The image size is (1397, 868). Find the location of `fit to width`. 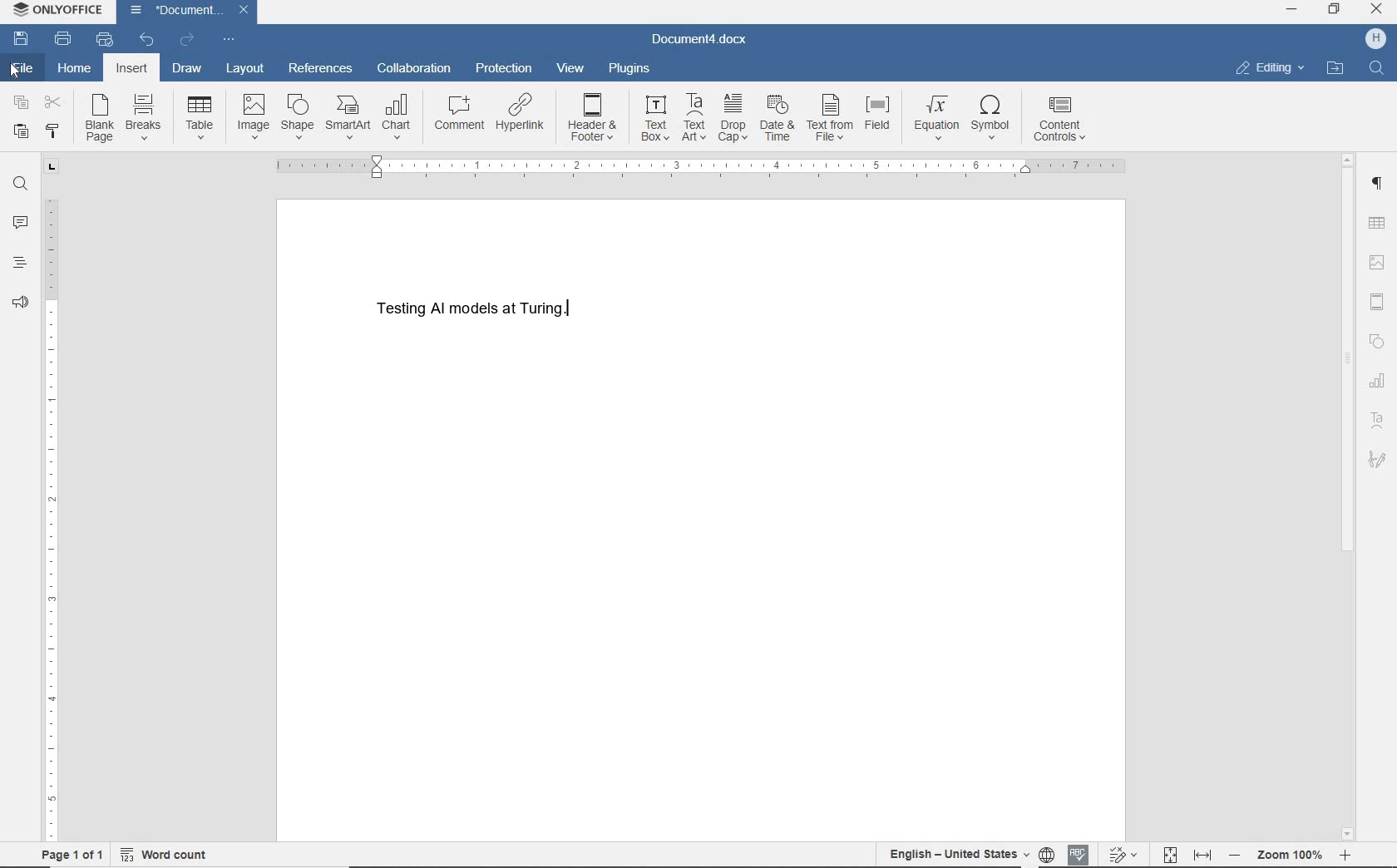

fit to width is located at coordinates (1202, 855).